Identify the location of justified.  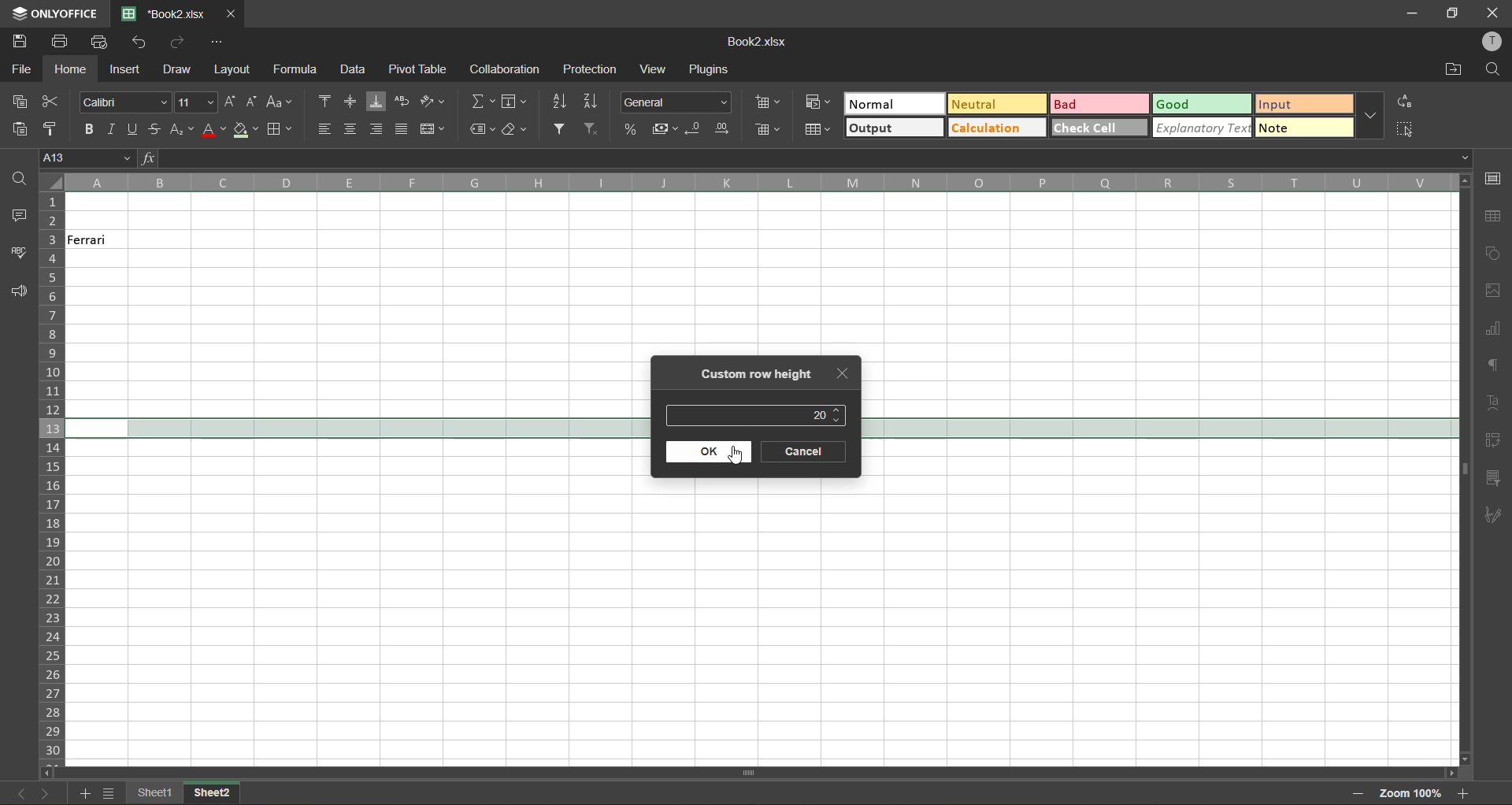
(402, 128).